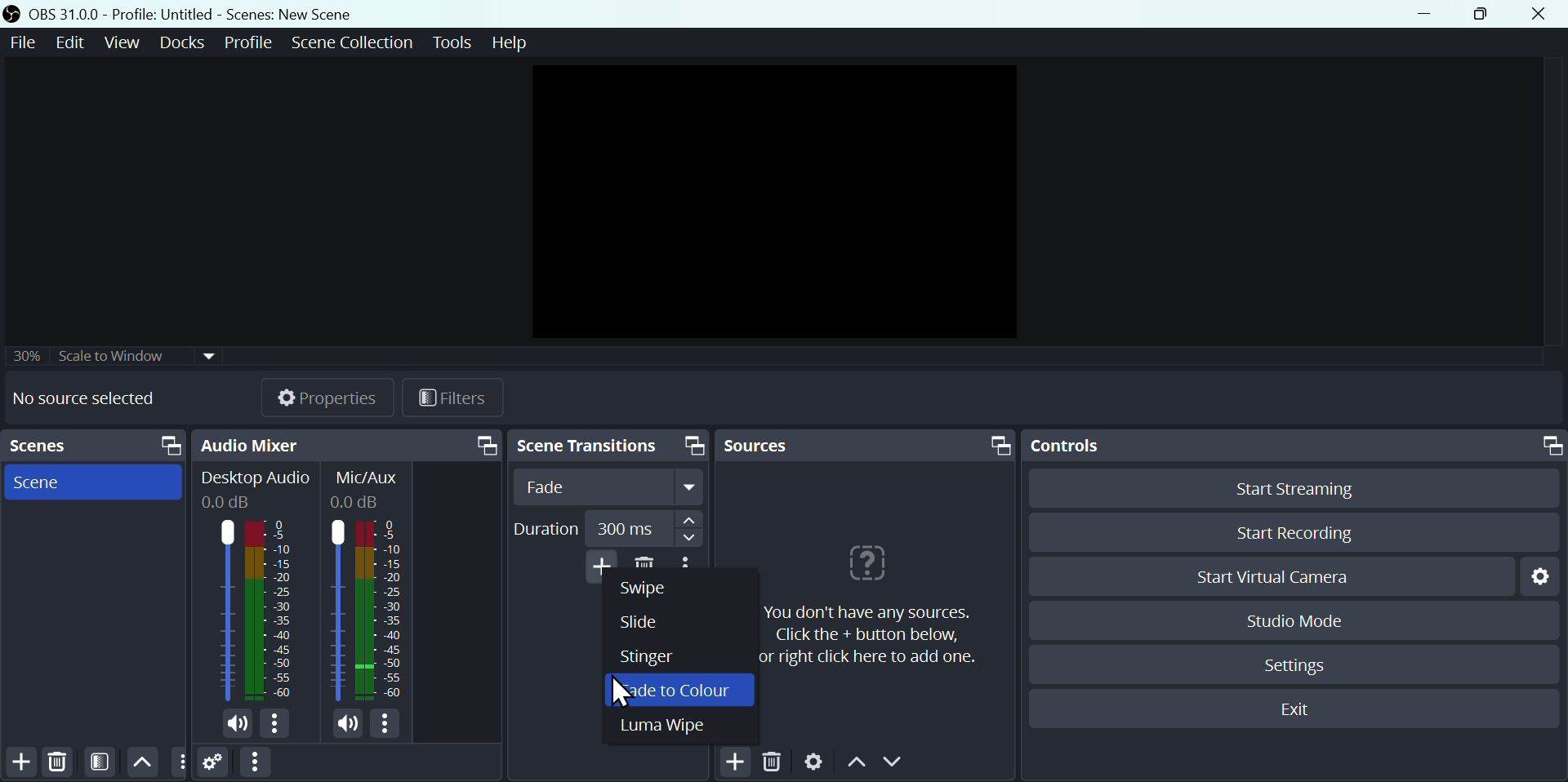  I want to click on Maximise, so click(1488, 15).